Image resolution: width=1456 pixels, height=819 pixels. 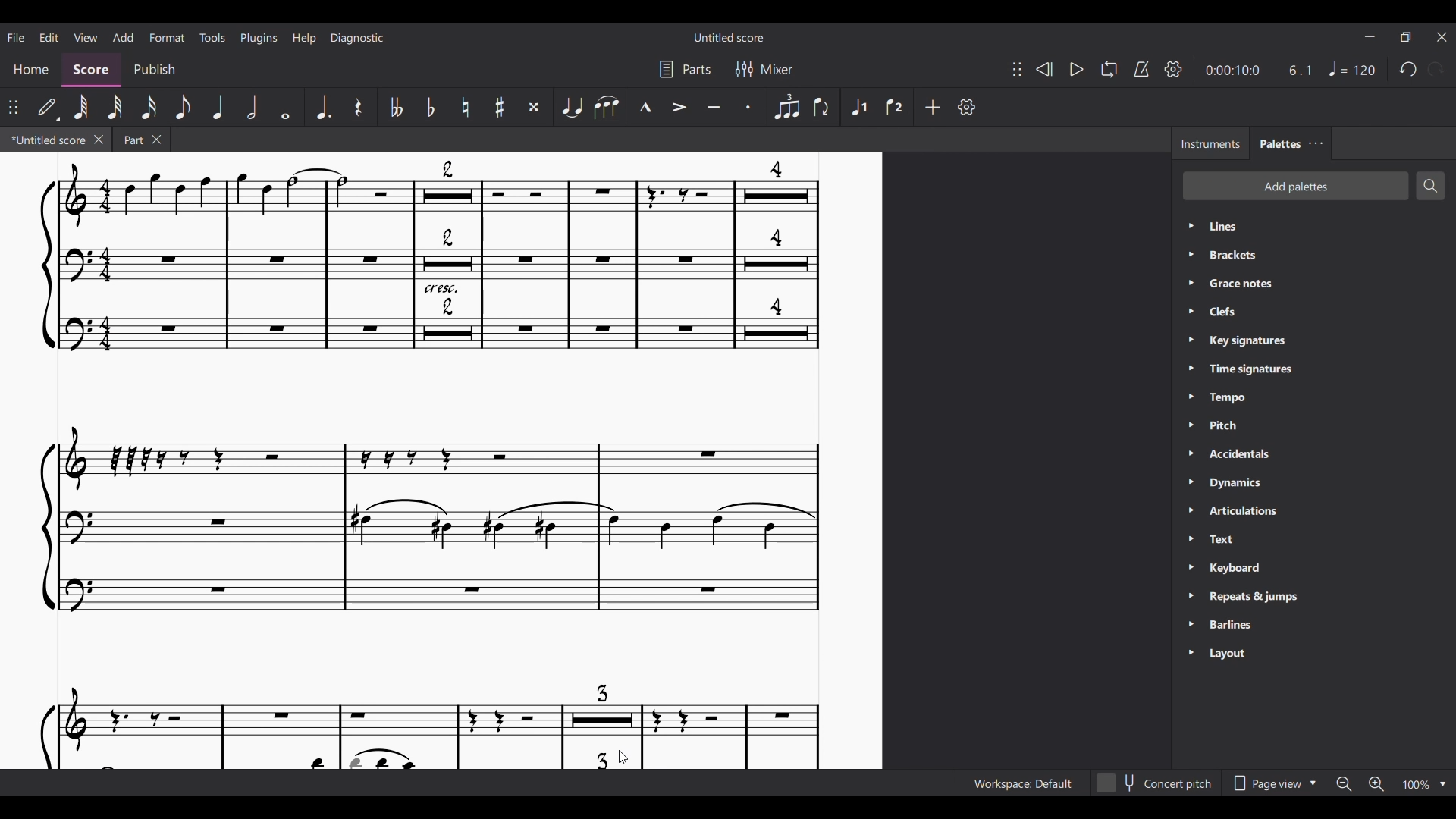 I want to click on Instruments tab, so click(x=1210, y=143).